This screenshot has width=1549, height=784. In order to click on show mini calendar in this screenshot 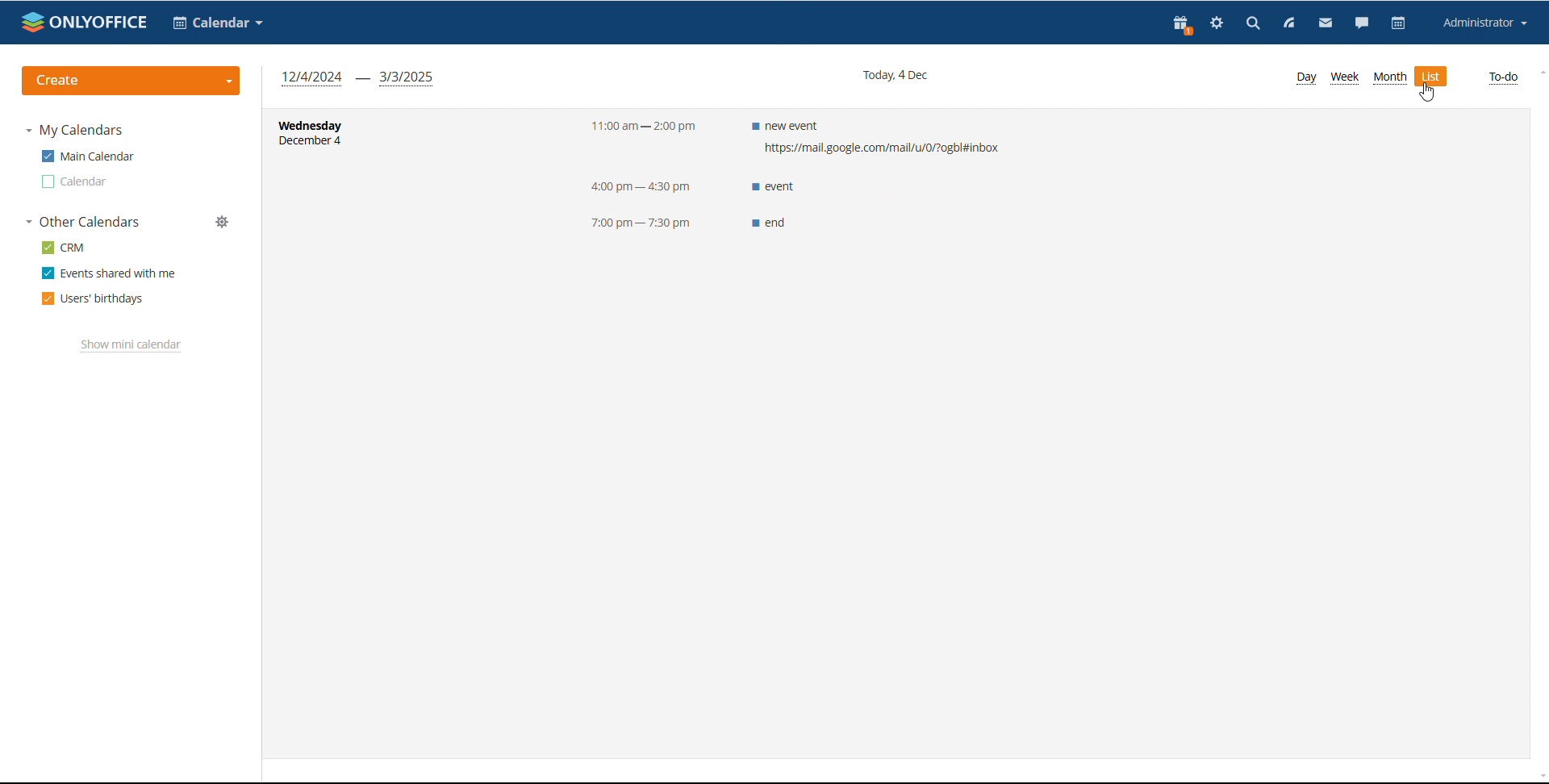, I will do `click(132, 345)`.